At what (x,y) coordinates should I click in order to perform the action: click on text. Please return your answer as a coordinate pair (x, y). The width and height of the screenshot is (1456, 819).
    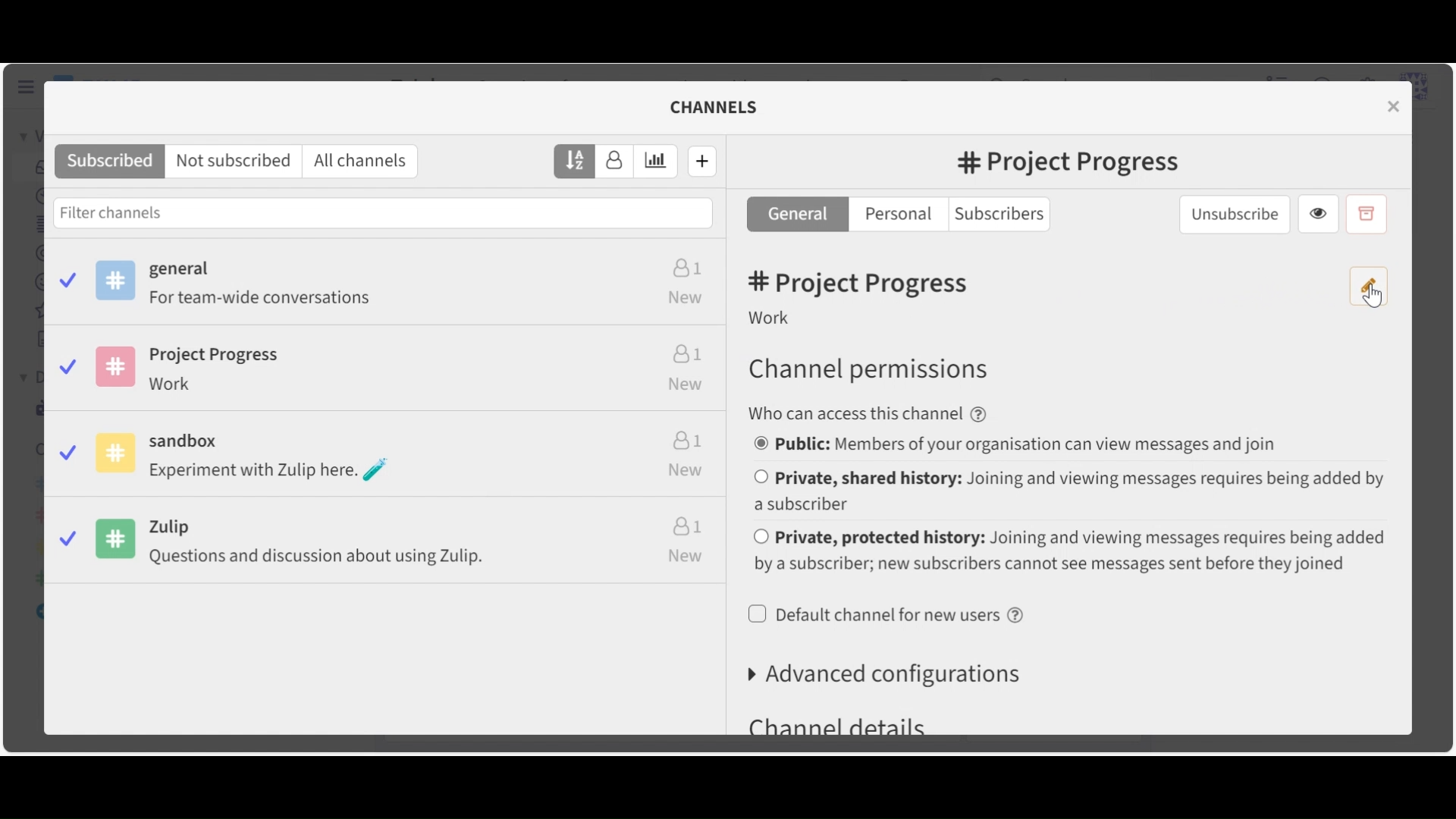
    Looking at the image, I should click on (890, 413).